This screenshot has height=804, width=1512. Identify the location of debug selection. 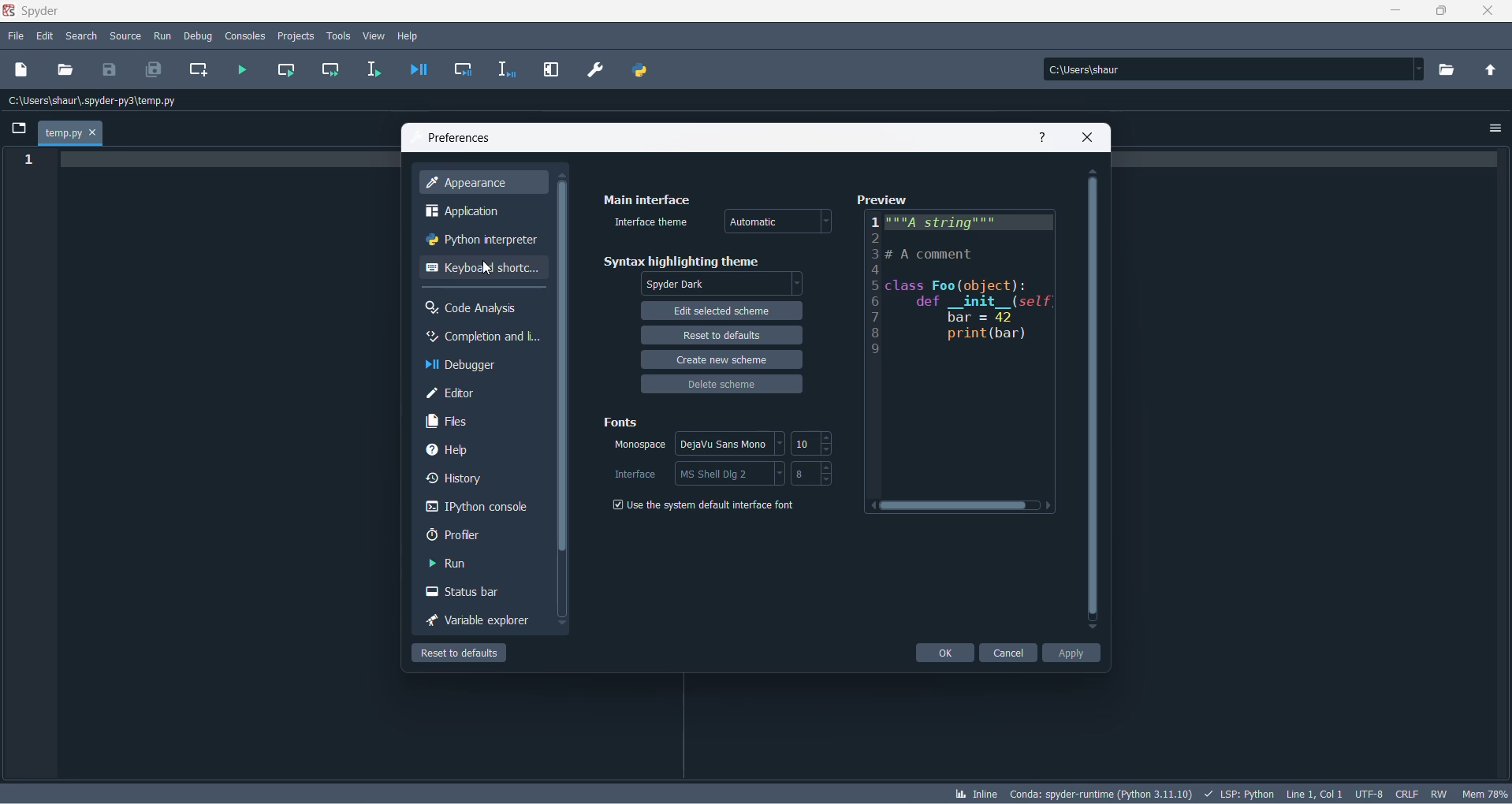
(505, 71).